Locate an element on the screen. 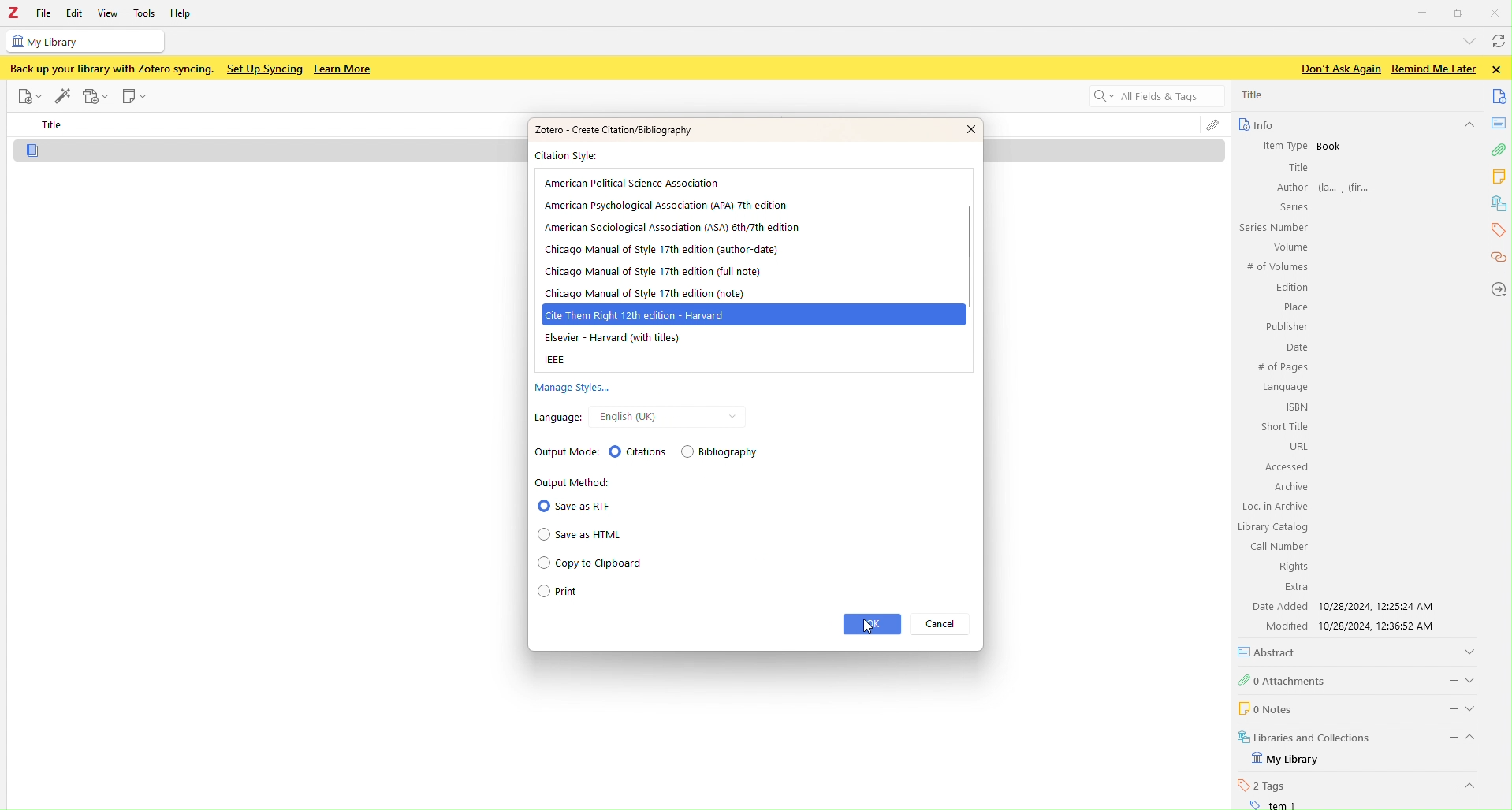  10/28/2024, 12:25:24 AM is located at coordinates (1381, 606).